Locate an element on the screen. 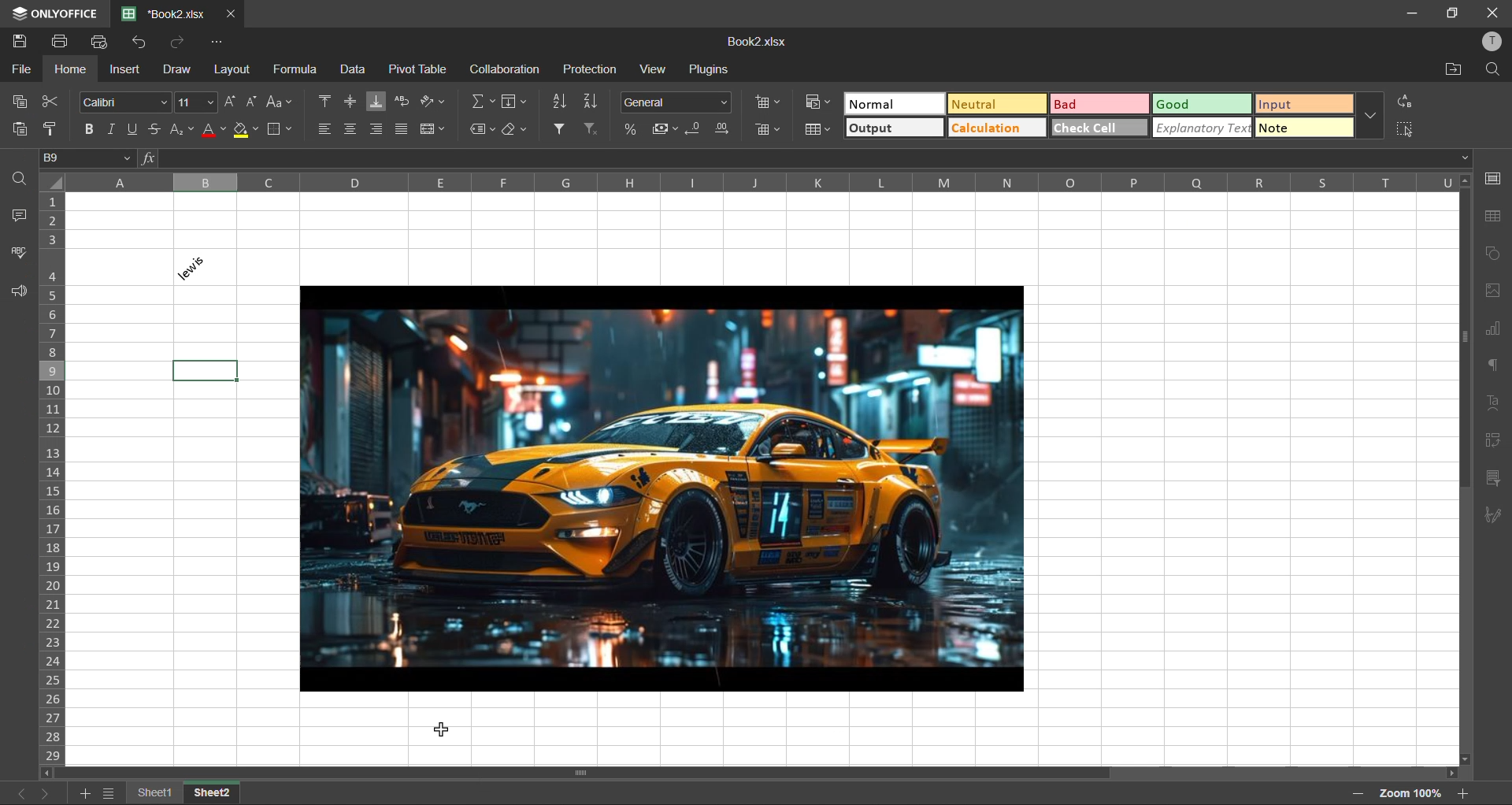 The image size is (1512, 805). view is located at coordinates (654, 69).